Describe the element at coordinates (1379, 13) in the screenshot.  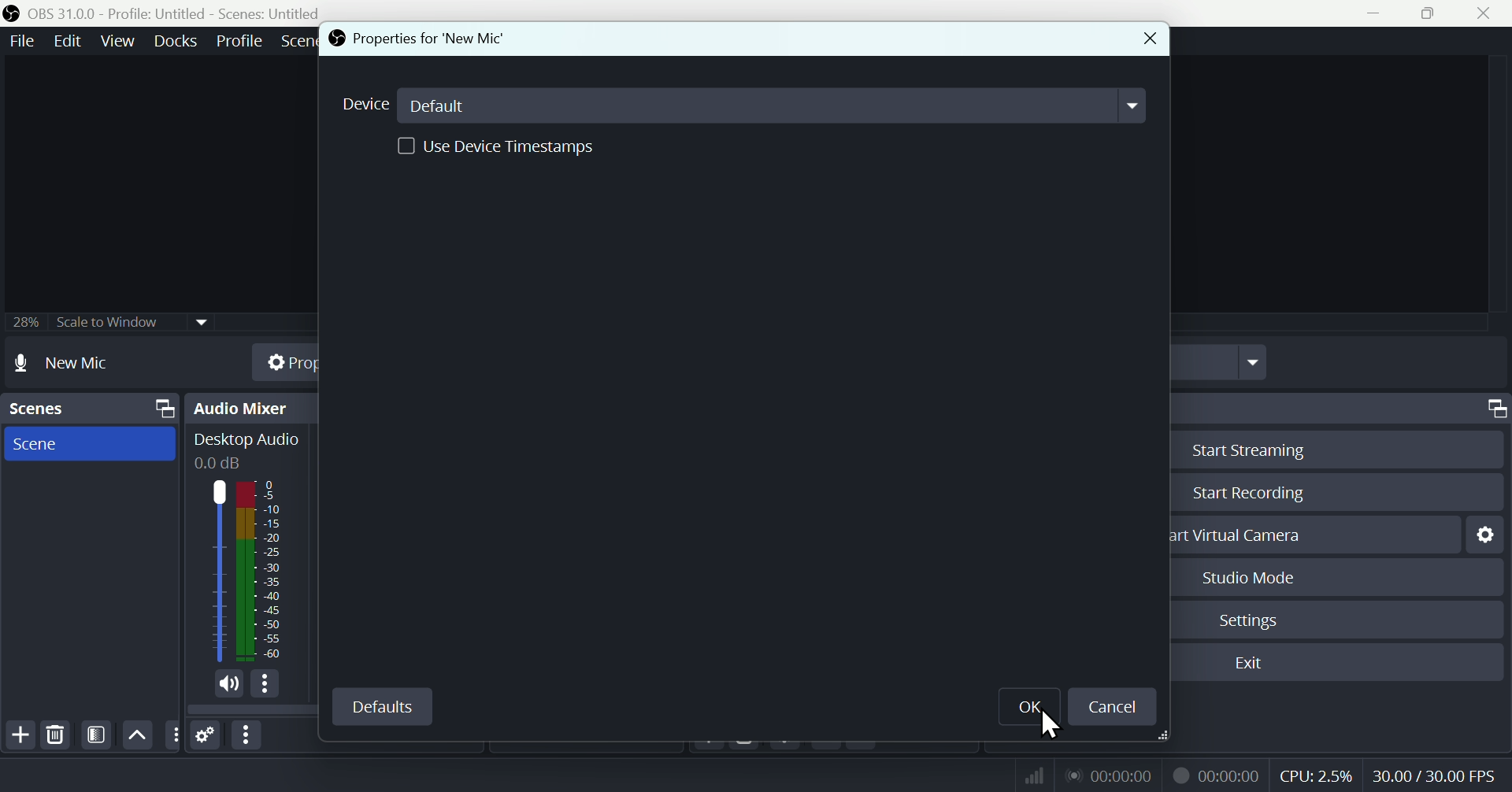
I see `minimize` at that location.